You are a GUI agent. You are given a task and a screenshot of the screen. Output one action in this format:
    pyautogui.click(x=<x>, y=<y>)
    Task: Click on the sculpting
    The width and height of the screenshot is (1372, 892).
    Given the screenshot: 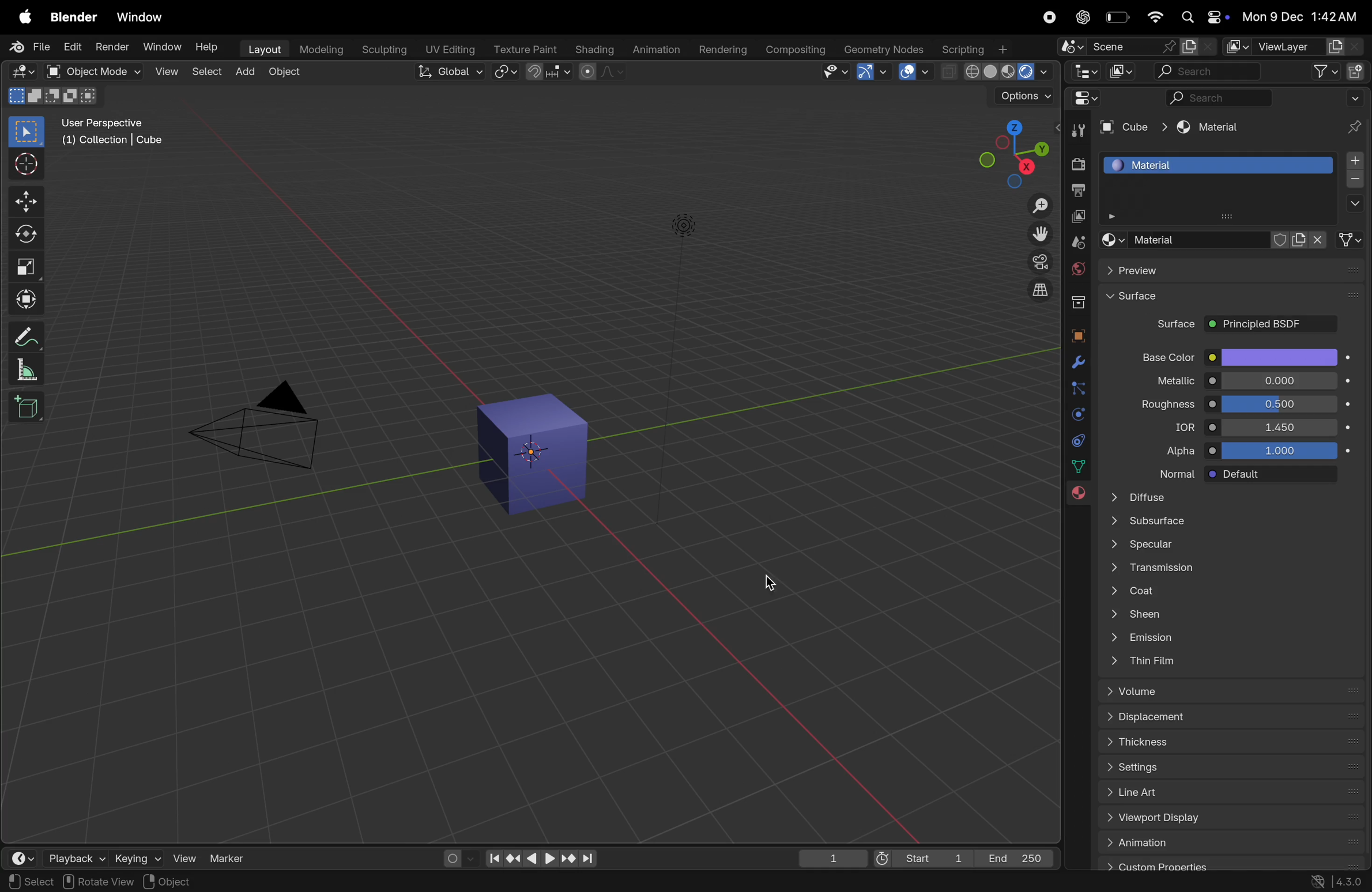 What is the action you would take?
    pyautogui.click(x=383, y=50)
    